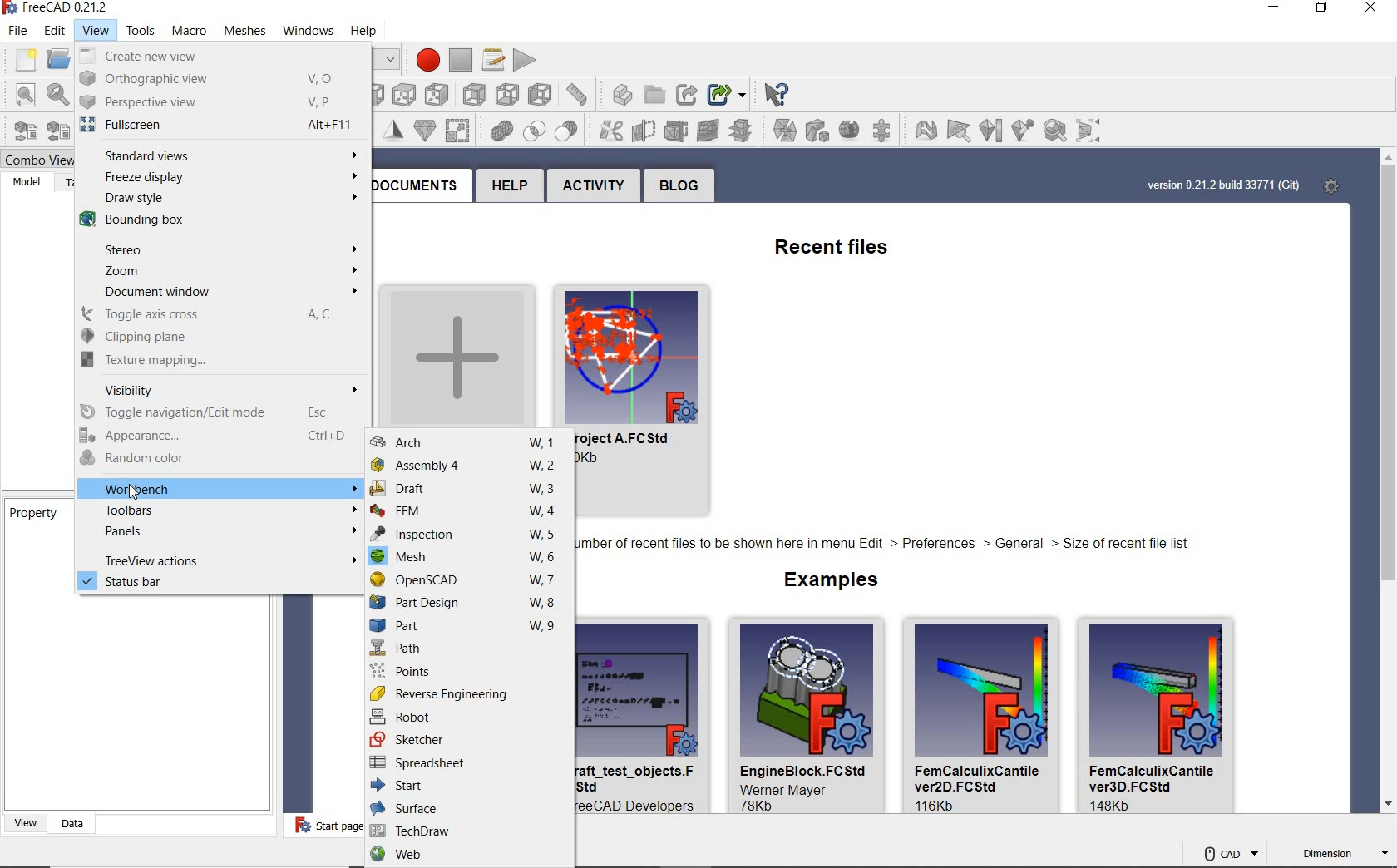 This screenshot has width=1397, height=868. I want to click on scale, so click(423, 129).